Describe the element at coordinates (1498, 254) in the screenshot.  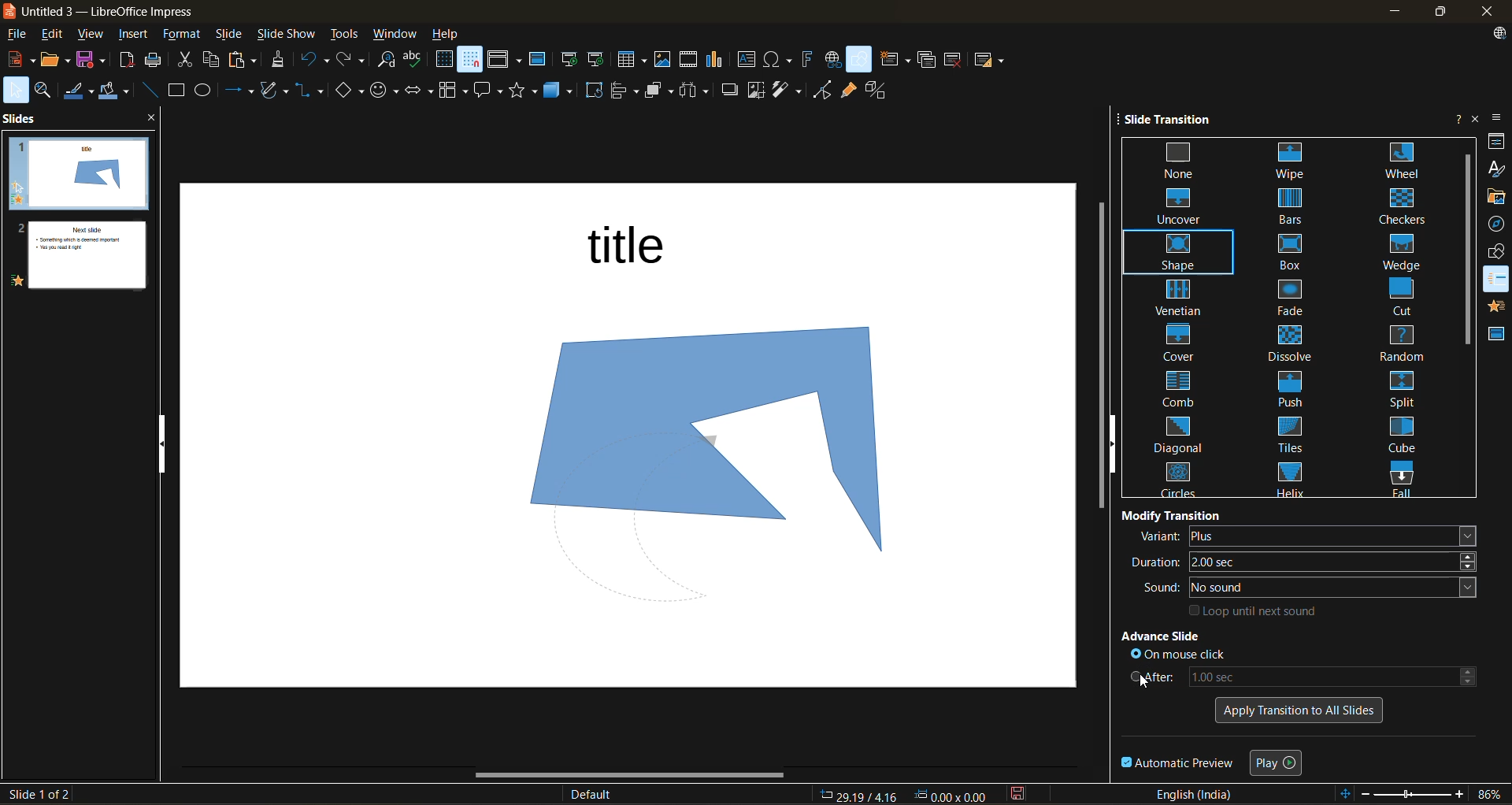
I see `shapes` at that location.